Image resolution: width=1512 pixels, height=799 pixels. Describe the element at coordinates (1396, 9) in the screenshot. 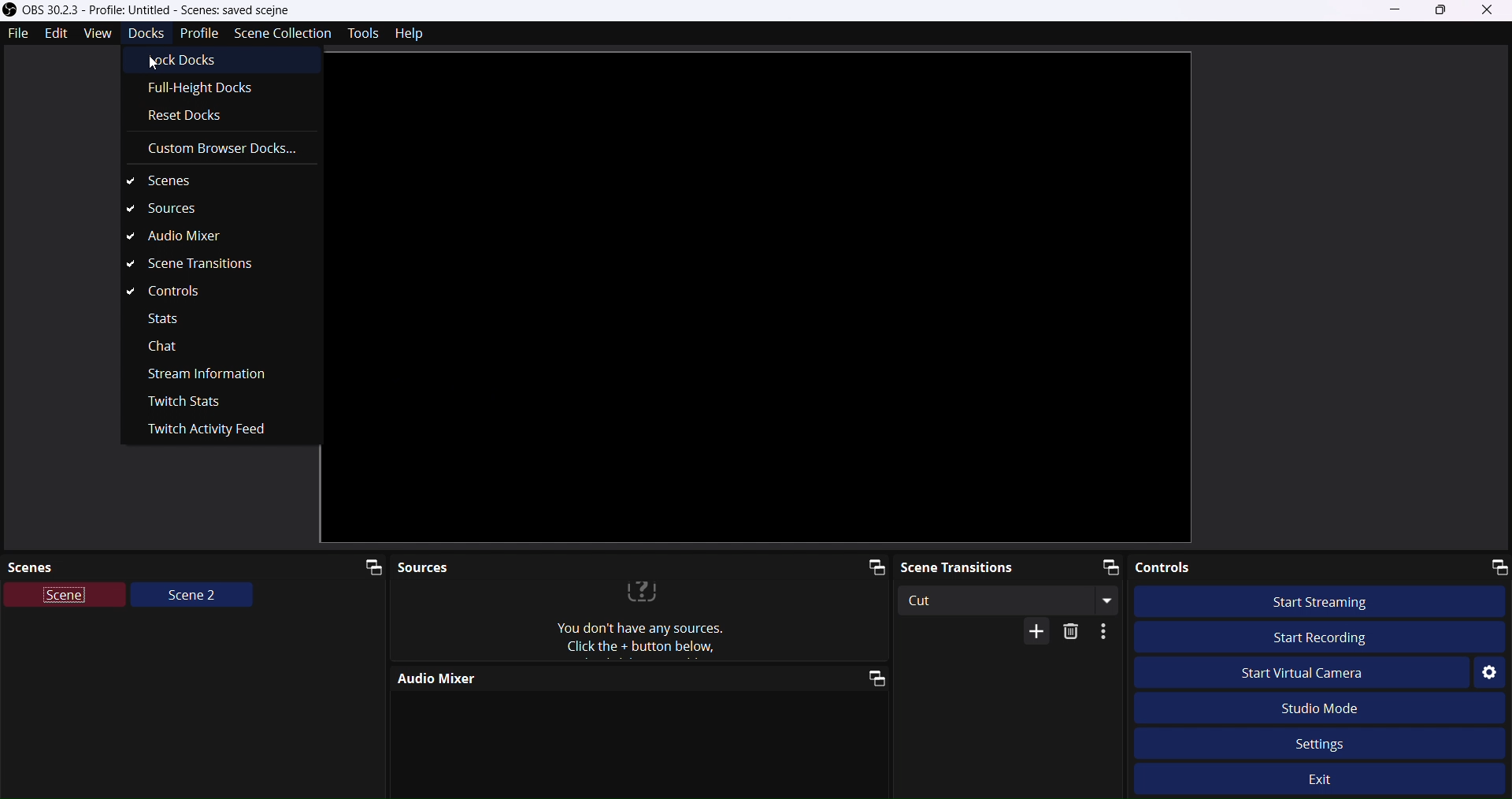

I see `Minimize` at that location.